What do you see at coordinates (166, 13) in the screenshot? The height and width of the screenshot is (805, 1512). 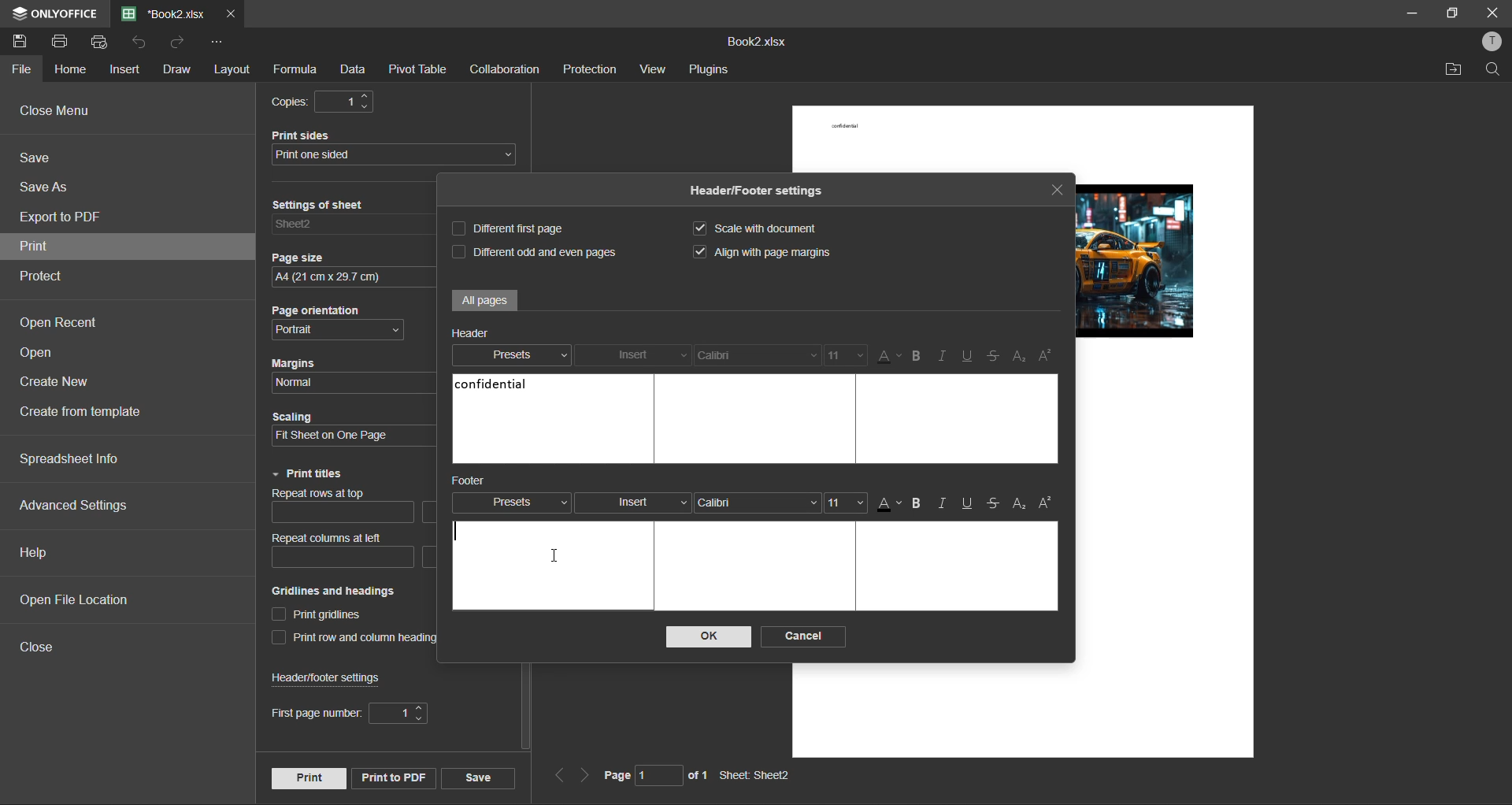 I see `filename` at bounding box center [166, 13].